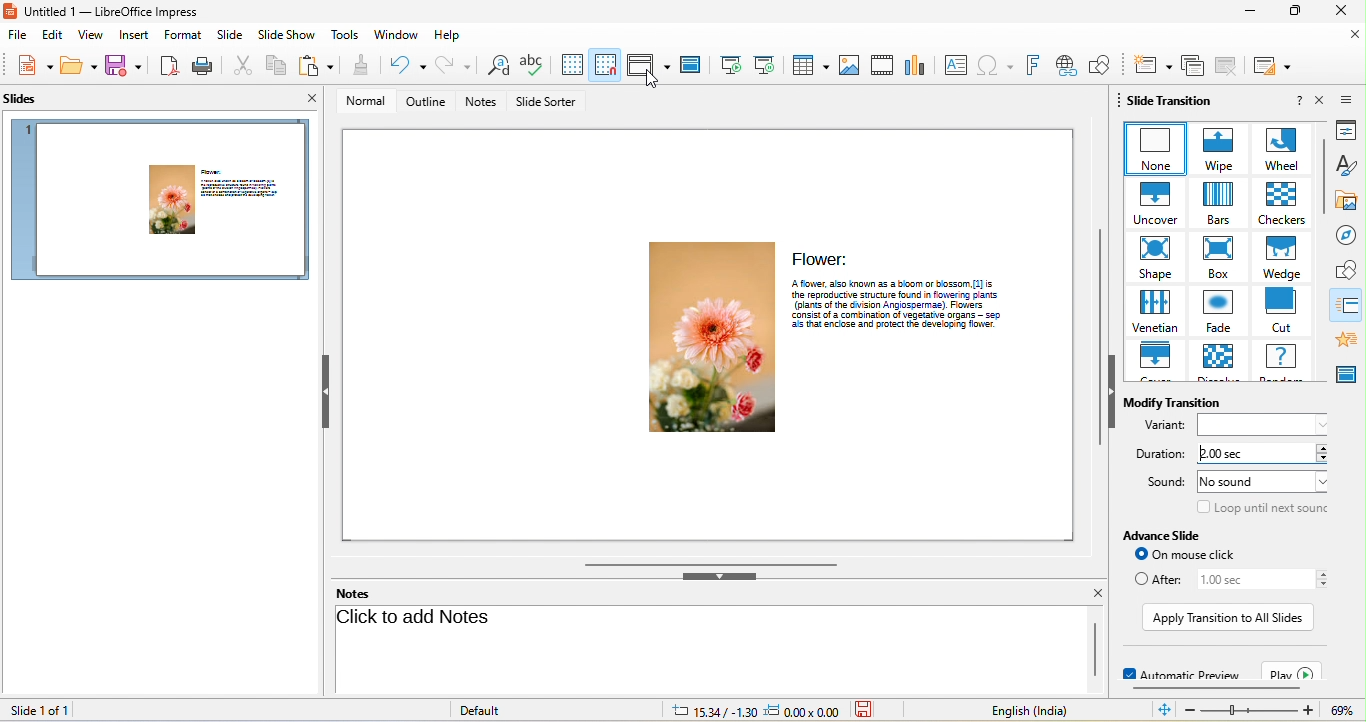 The image size is (1366, 722). What do you see at coordinates (907, 282) in the screenshot?
I see `"A flower, also known as a bloom or blossom, [1] is` at bounding box center [907, 282].